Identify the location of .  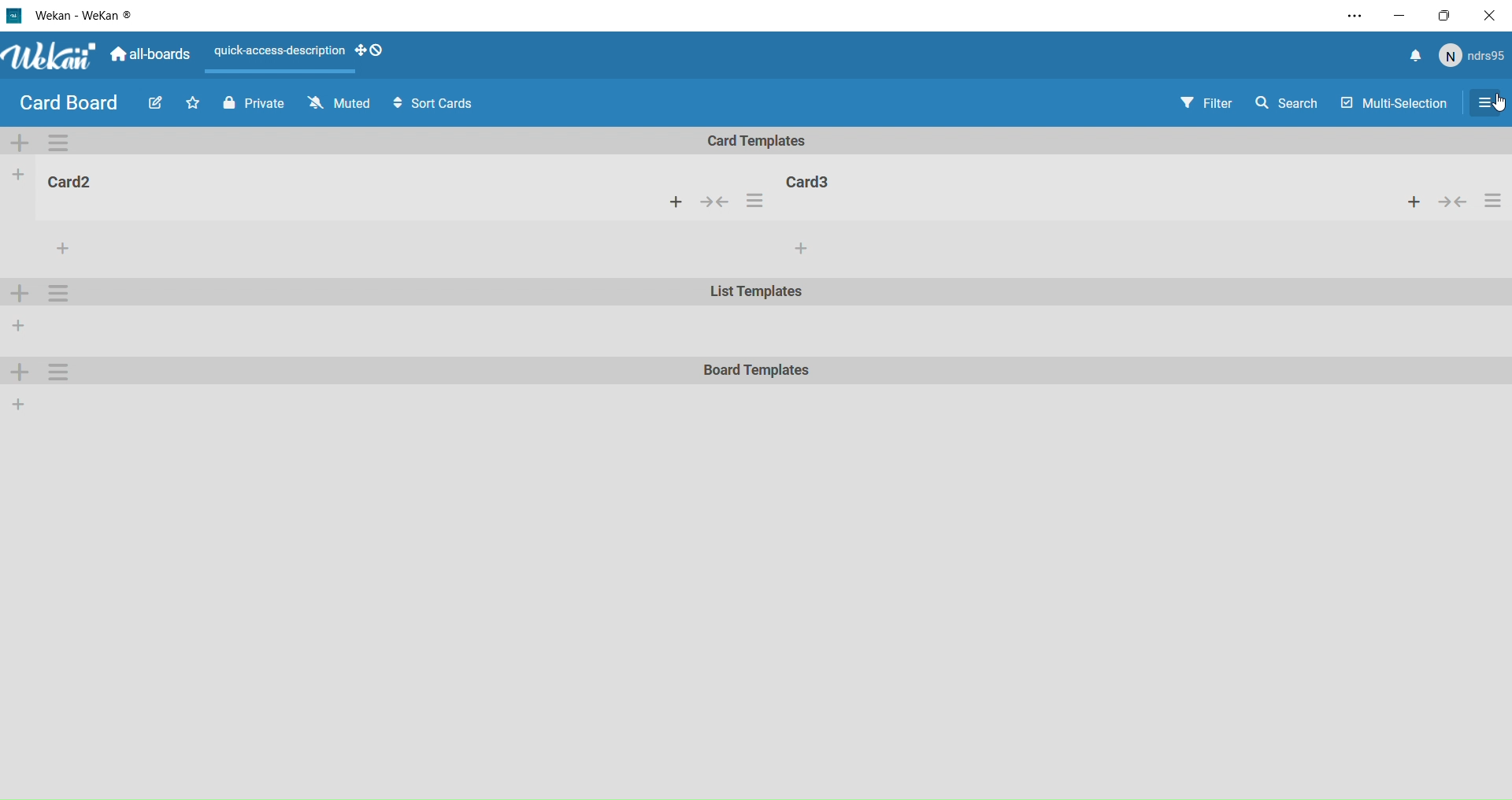
(57, 294).